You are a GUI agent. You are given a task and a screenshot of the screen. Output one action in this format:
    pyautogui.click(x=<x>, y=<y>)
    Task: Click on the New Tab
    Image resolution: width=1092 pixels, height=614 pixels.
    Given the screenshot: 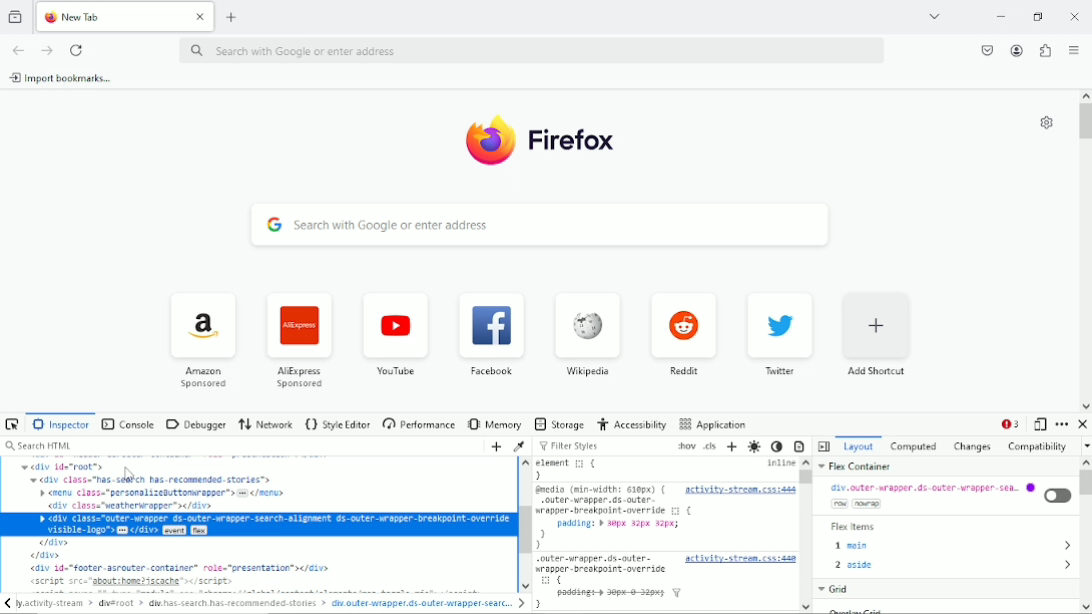 What is the action you would take?
    pyautogui.click(x=110, y=16)
    